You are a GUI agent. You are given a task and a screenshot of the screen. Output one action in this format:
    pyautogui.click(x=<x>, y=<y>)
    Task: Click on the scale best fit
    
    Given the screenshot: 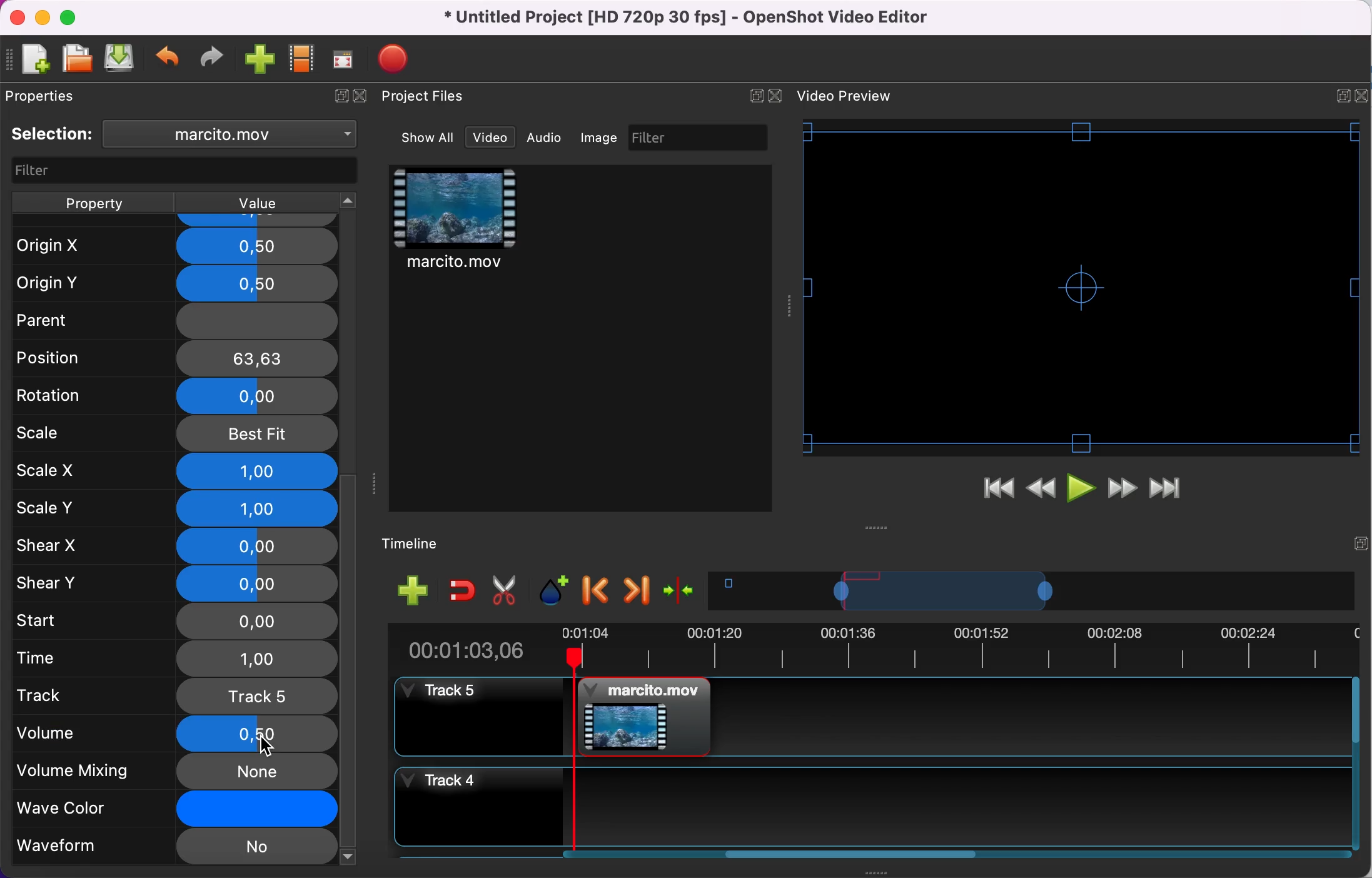 What is the action you would take?
    pyautogui.click(x=176, y=435)
    